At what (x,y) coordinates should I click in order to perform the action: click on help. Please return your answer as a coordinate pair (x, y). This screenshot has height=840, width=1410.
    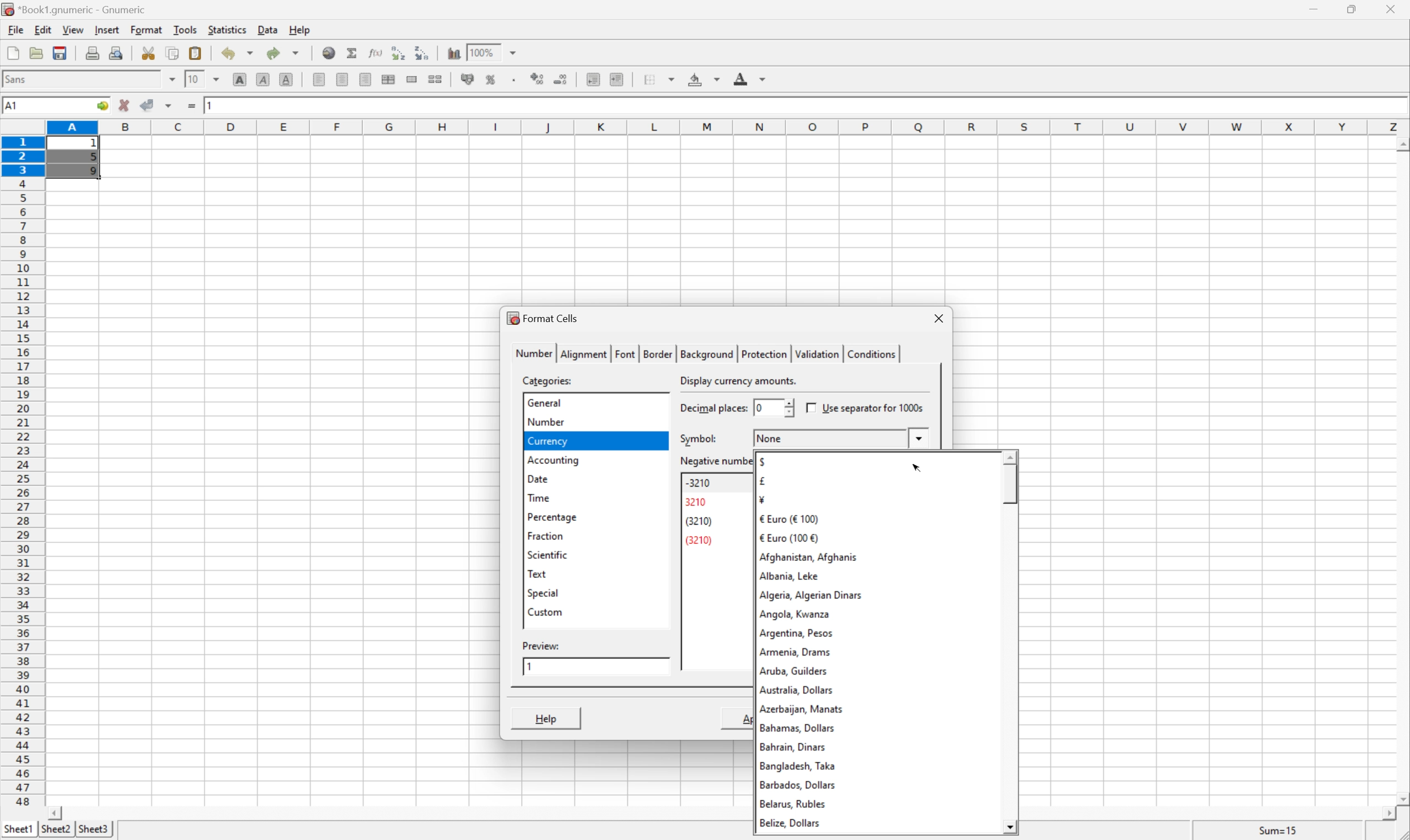
    Looking at the image, I should click on (301, 29).